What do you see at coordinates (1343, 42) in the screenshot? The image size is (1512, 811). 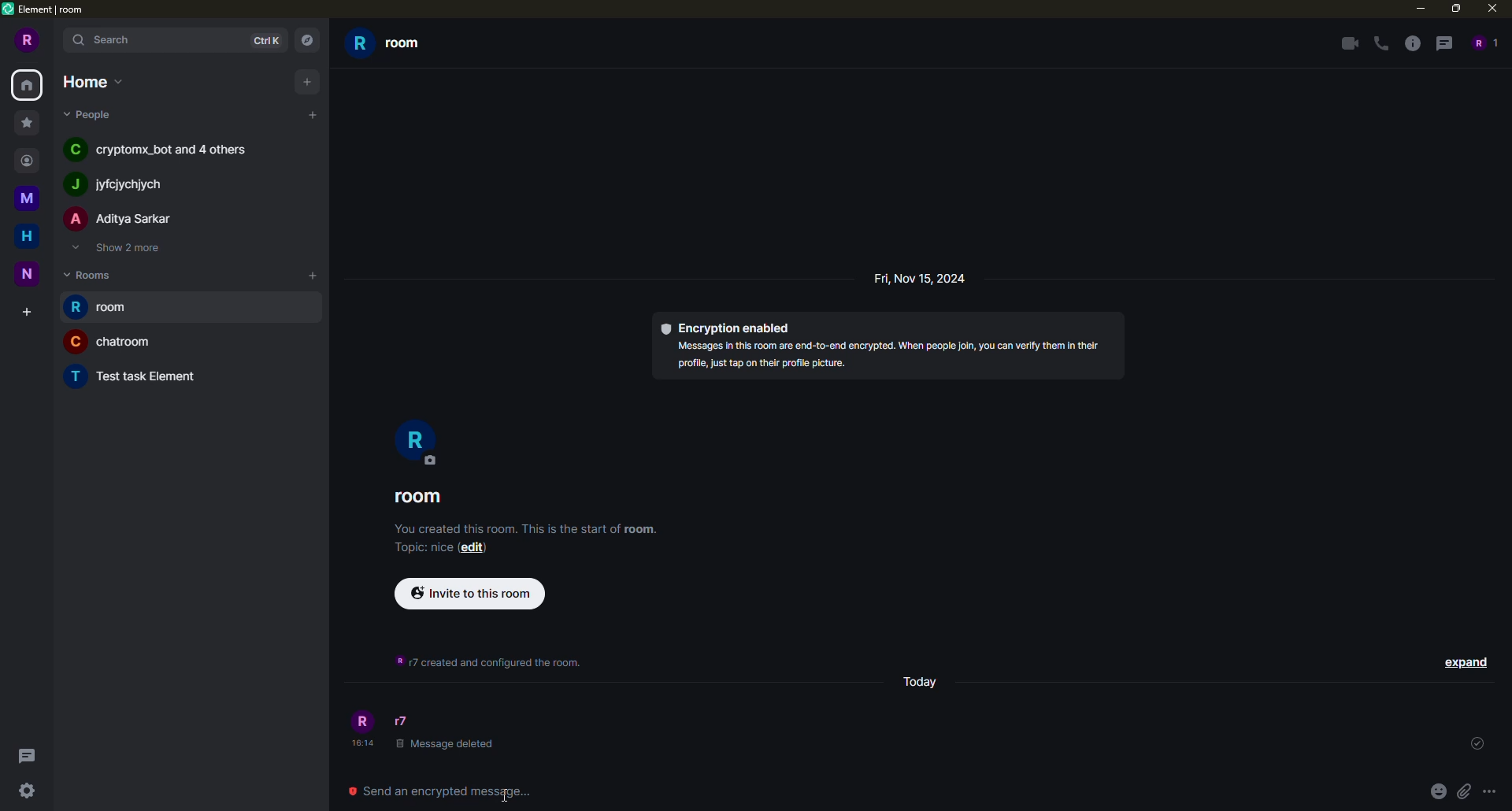 I see `video call` at bounding box center [1343, 42].